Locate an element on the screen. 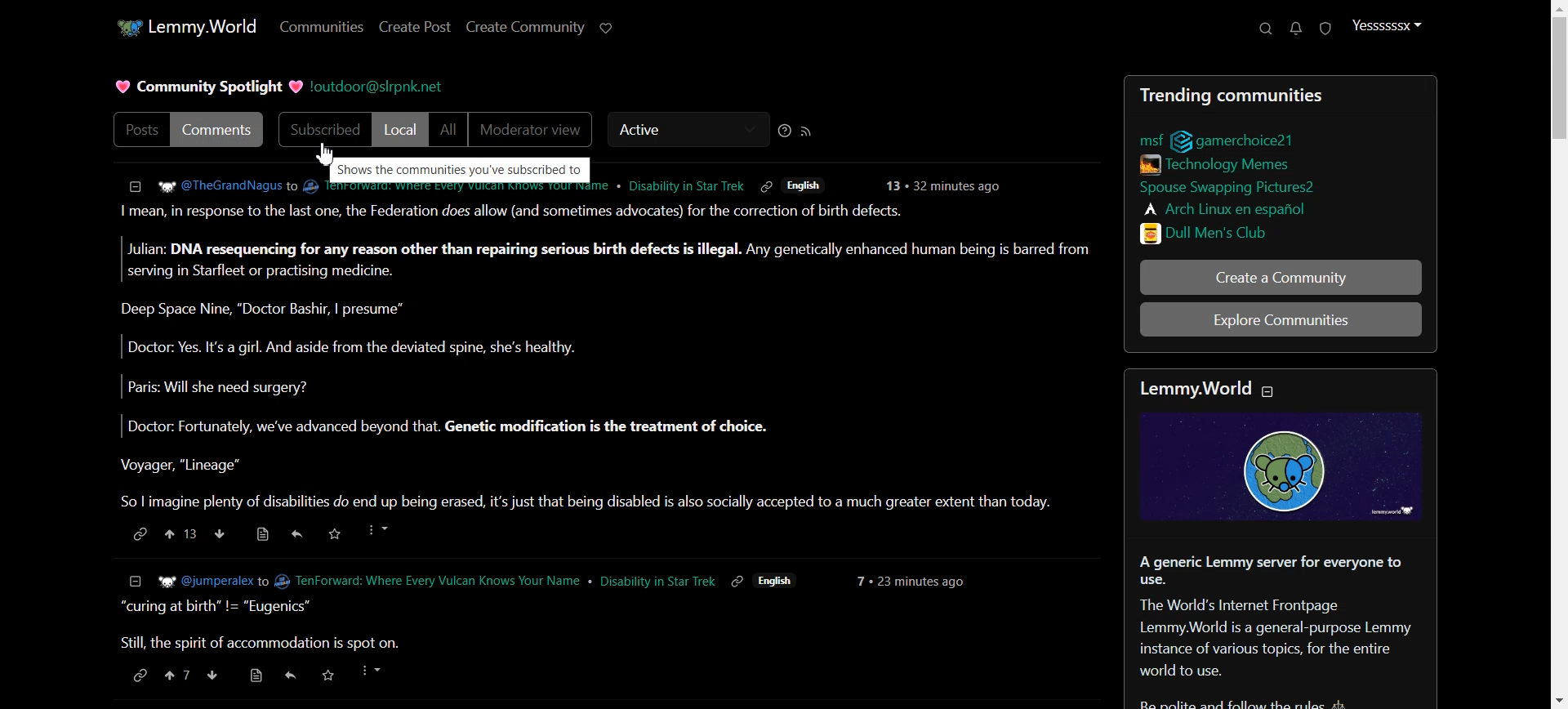 The width and height of the screenshot is (1568, 709). downvote is located at coordinates (212, 676).